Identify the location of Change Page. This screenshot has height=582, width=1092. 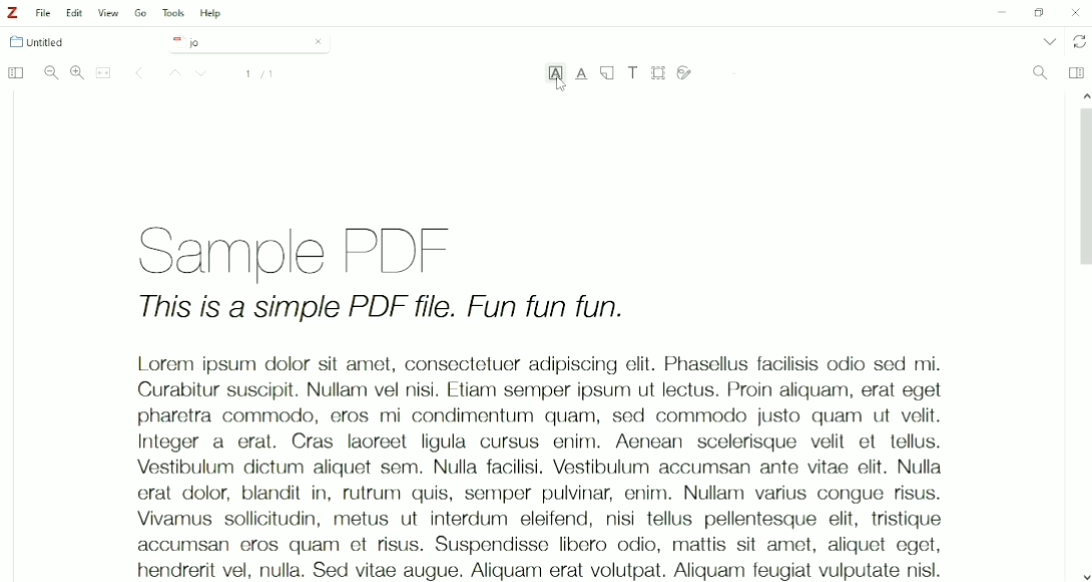
(139, 74).